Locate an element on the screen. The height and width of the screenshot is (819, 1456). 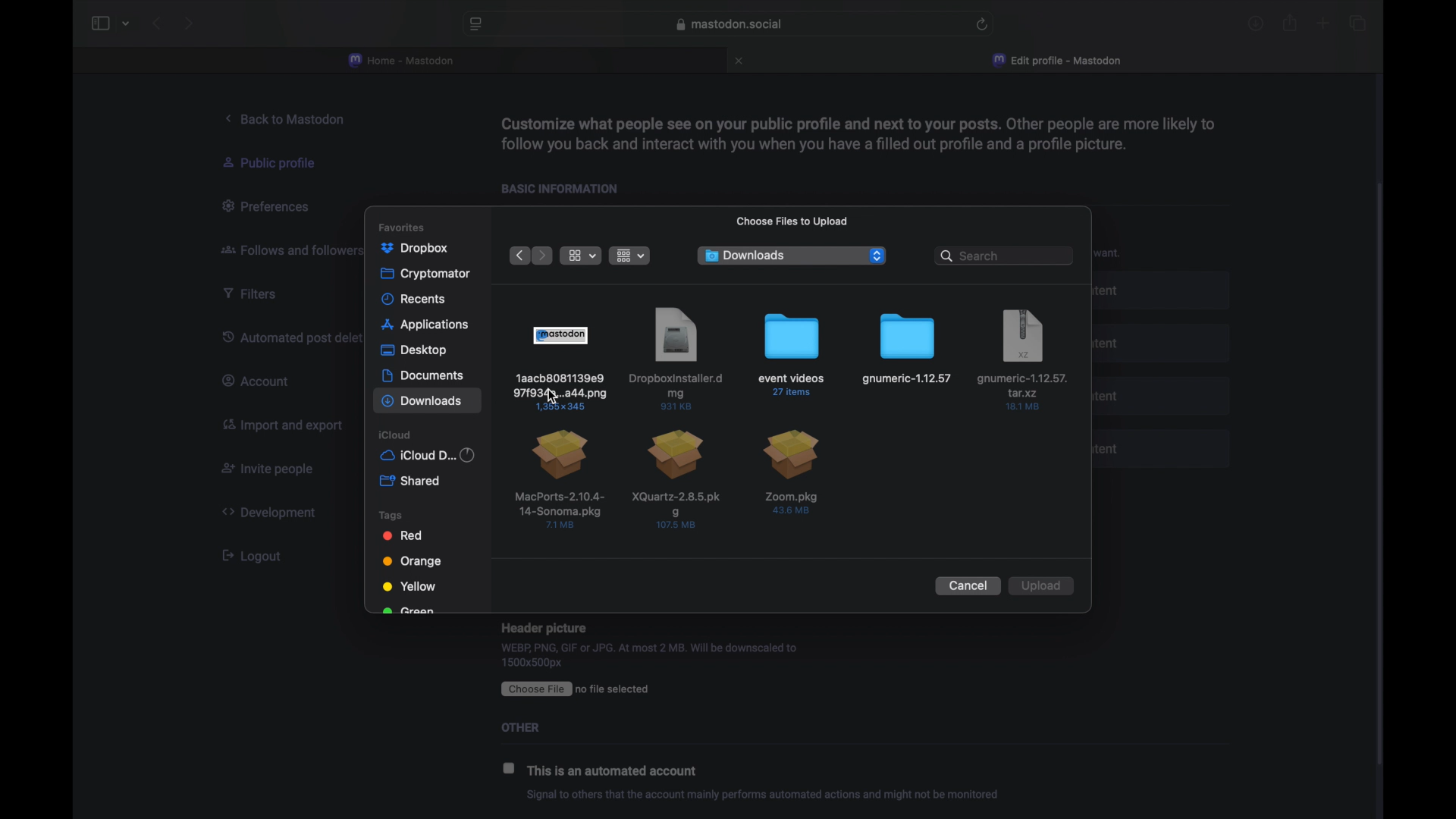
file is located at coordinates (561, 368).